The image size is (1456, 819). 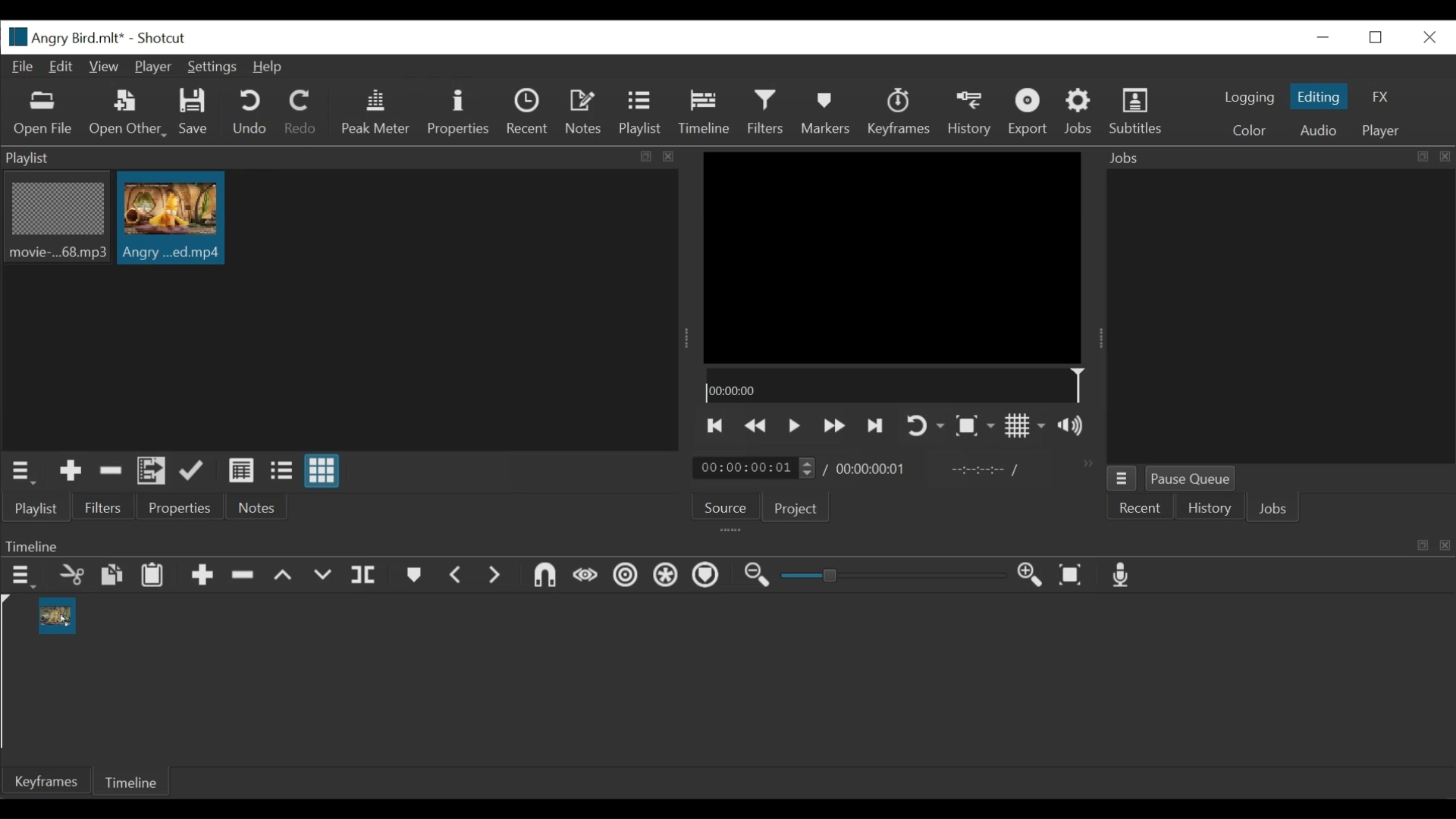 I want to click on minimize, so click(x=1320, y=38).